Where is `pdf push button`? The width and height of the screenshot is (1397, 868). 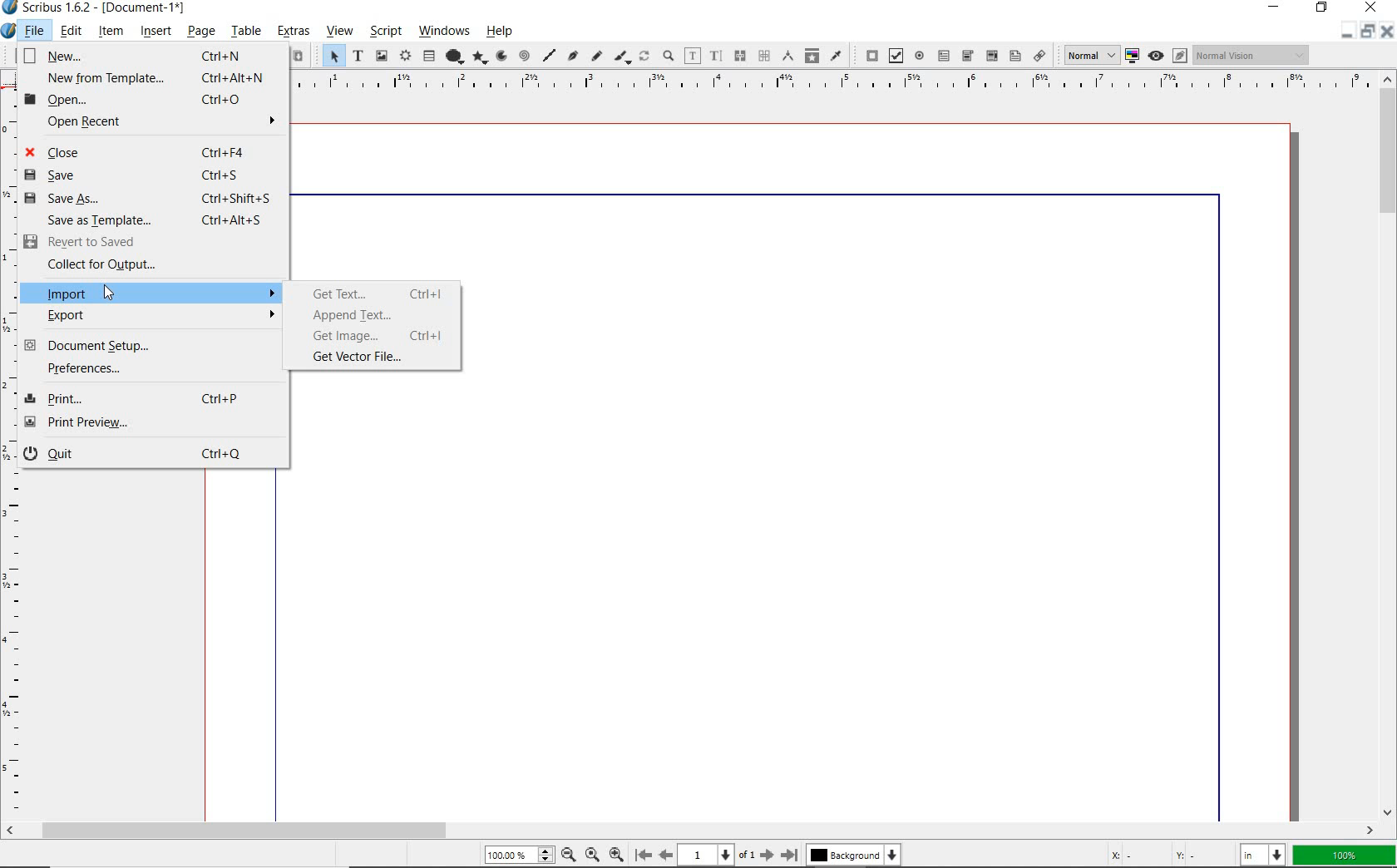
pdf push button is located at coordinates (866, 55).